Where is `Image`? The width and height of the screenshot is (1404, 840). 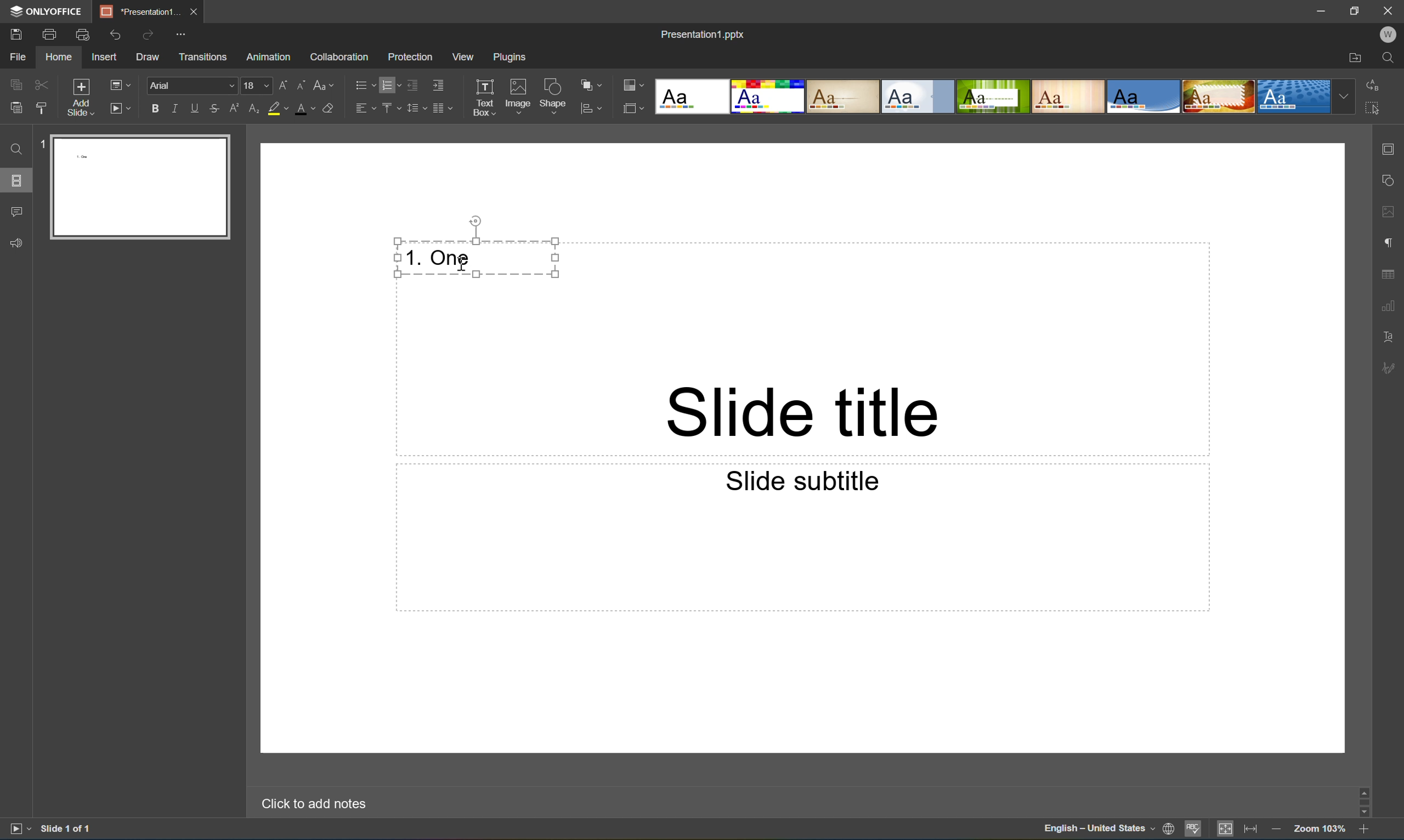 Image is located at coordinates (519, 95).